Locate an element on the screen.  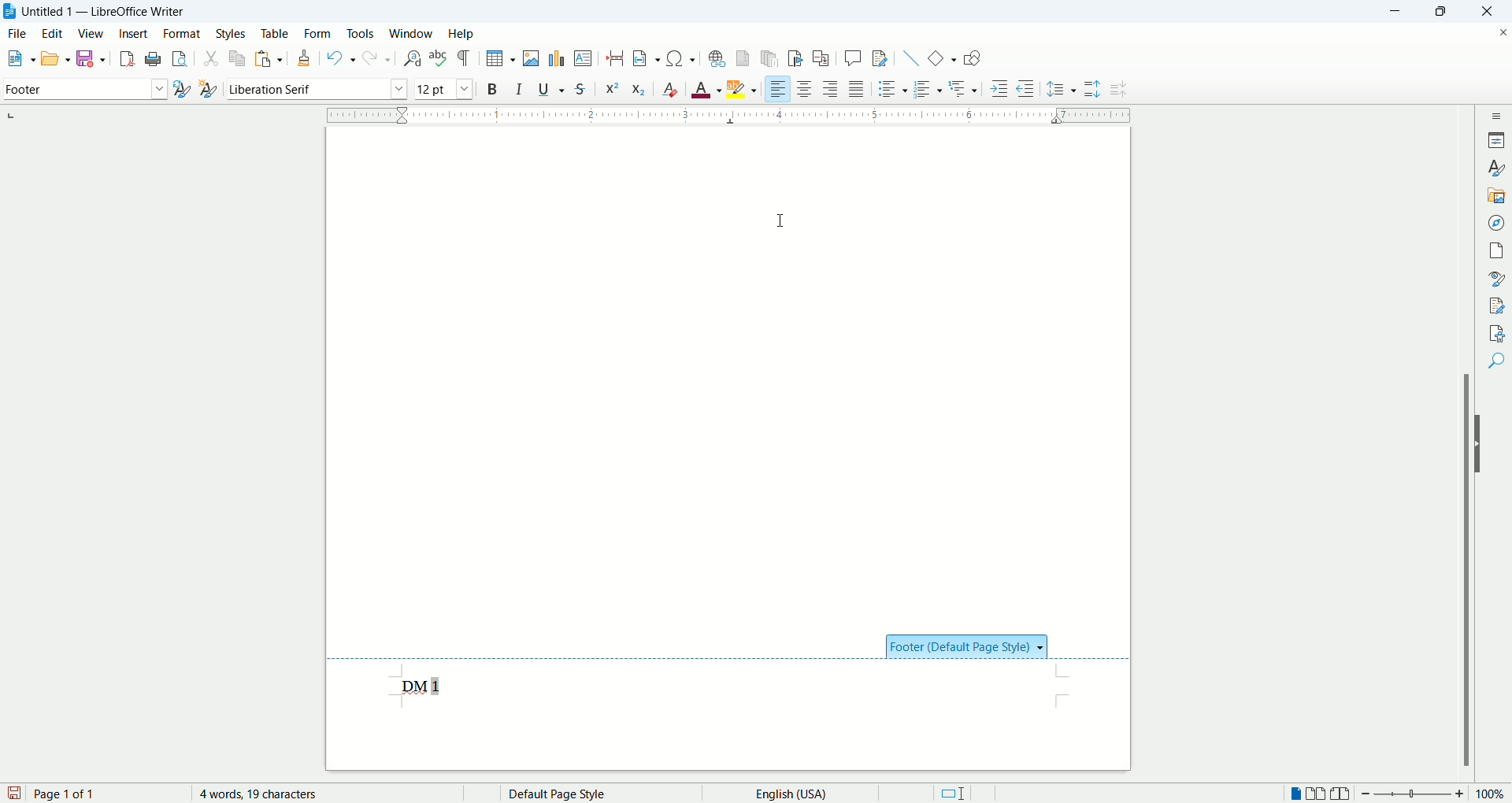
window is located at coordinates (412, 34).